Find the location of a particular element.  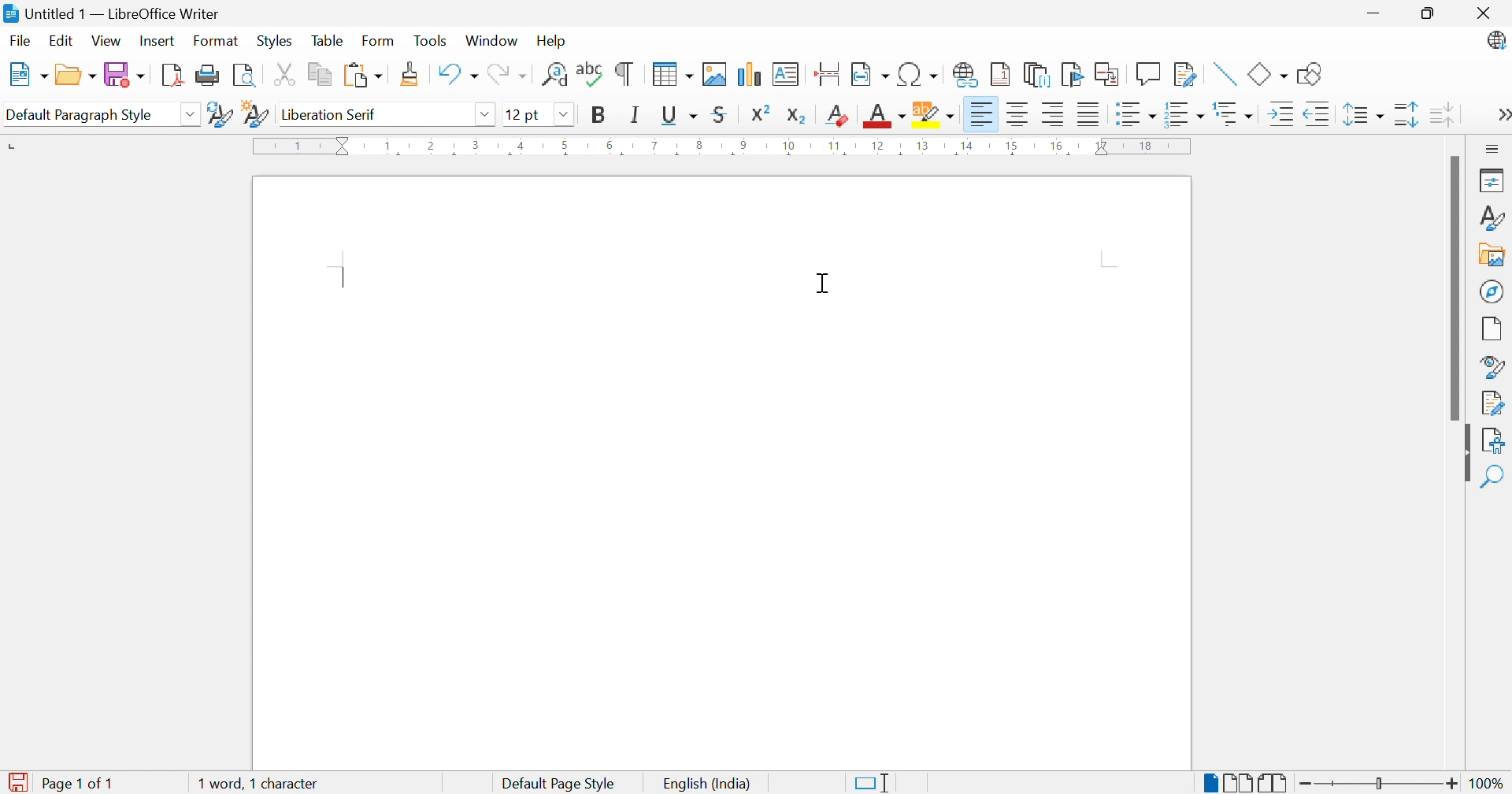

Help is located at coordinates (550, 41).